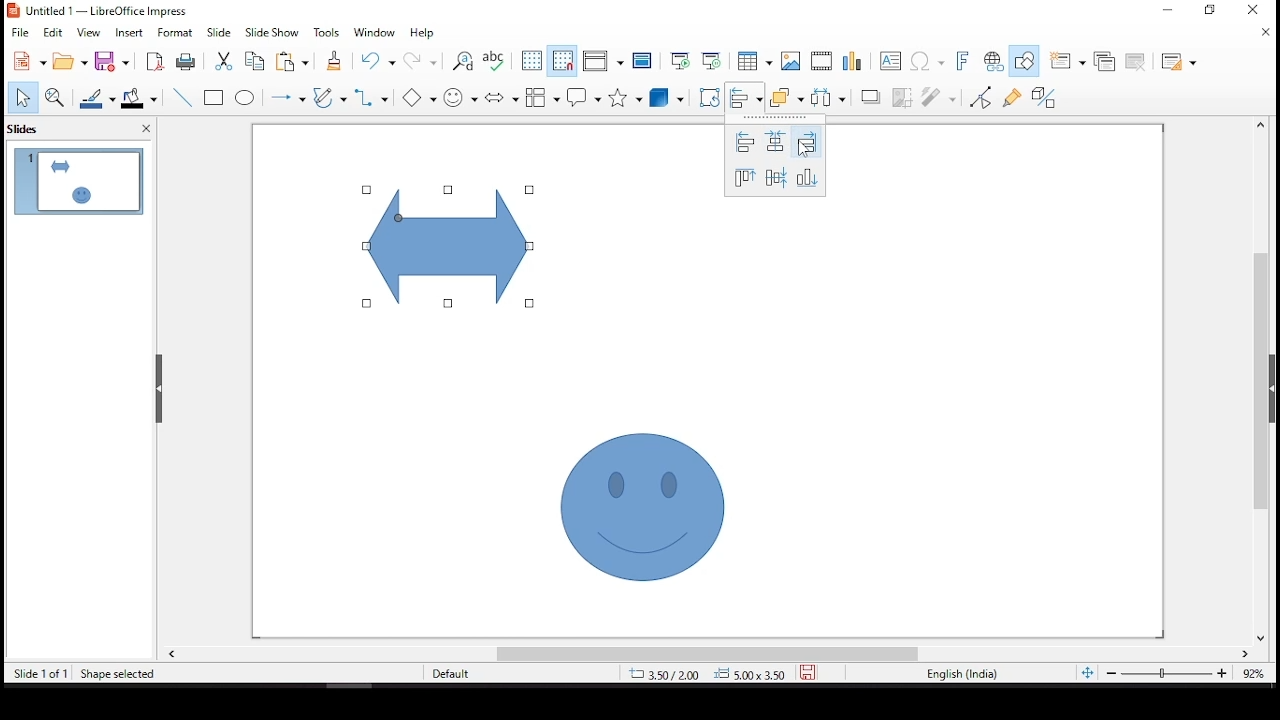 This screenshot has height=720, width=1280. Describe the element at coordinates (154, 62) in the screenshot. I see `export as pdf` at that location.